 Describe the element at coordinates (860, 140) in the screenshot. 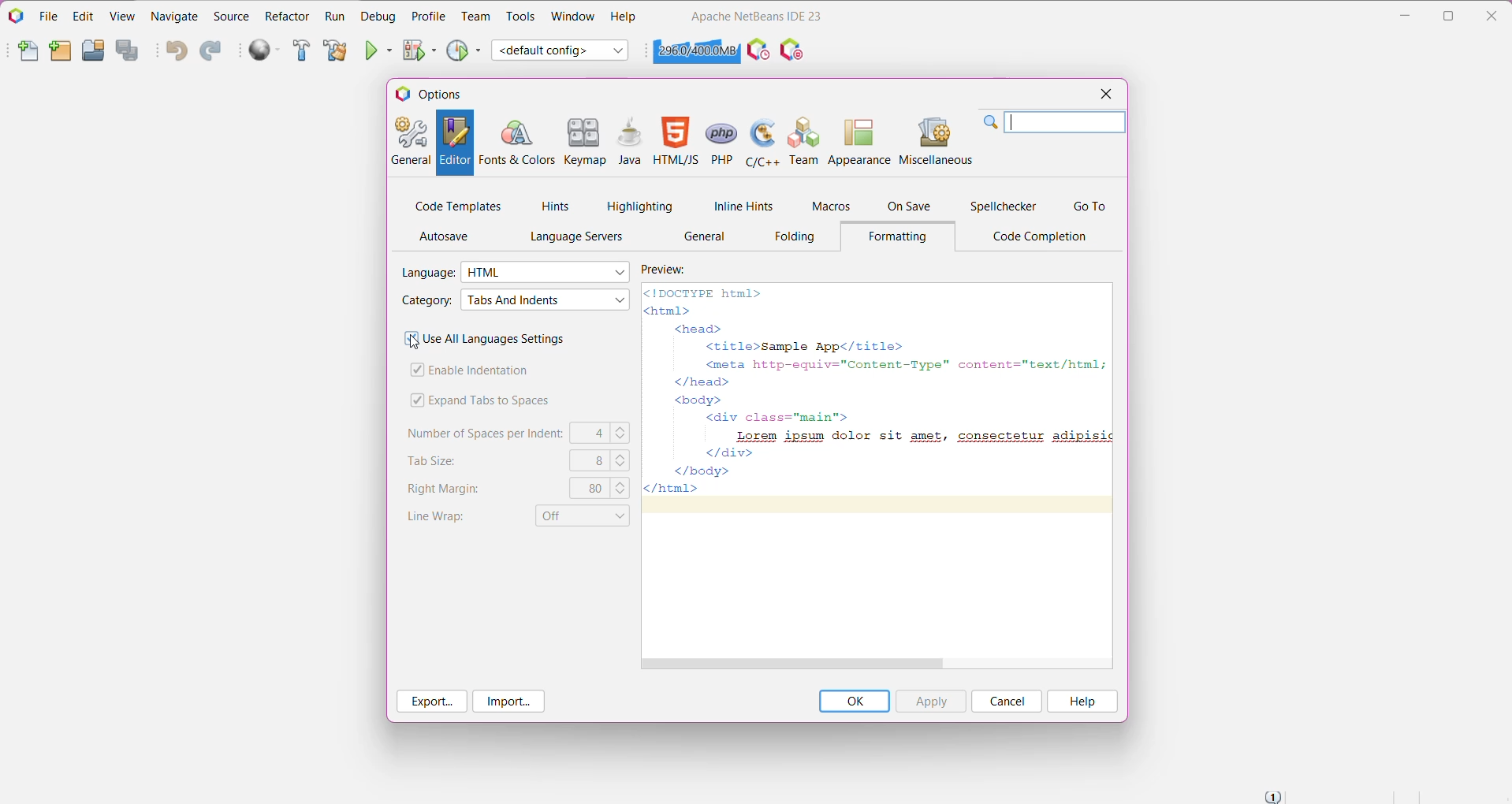

I see `Appearance` at that location.